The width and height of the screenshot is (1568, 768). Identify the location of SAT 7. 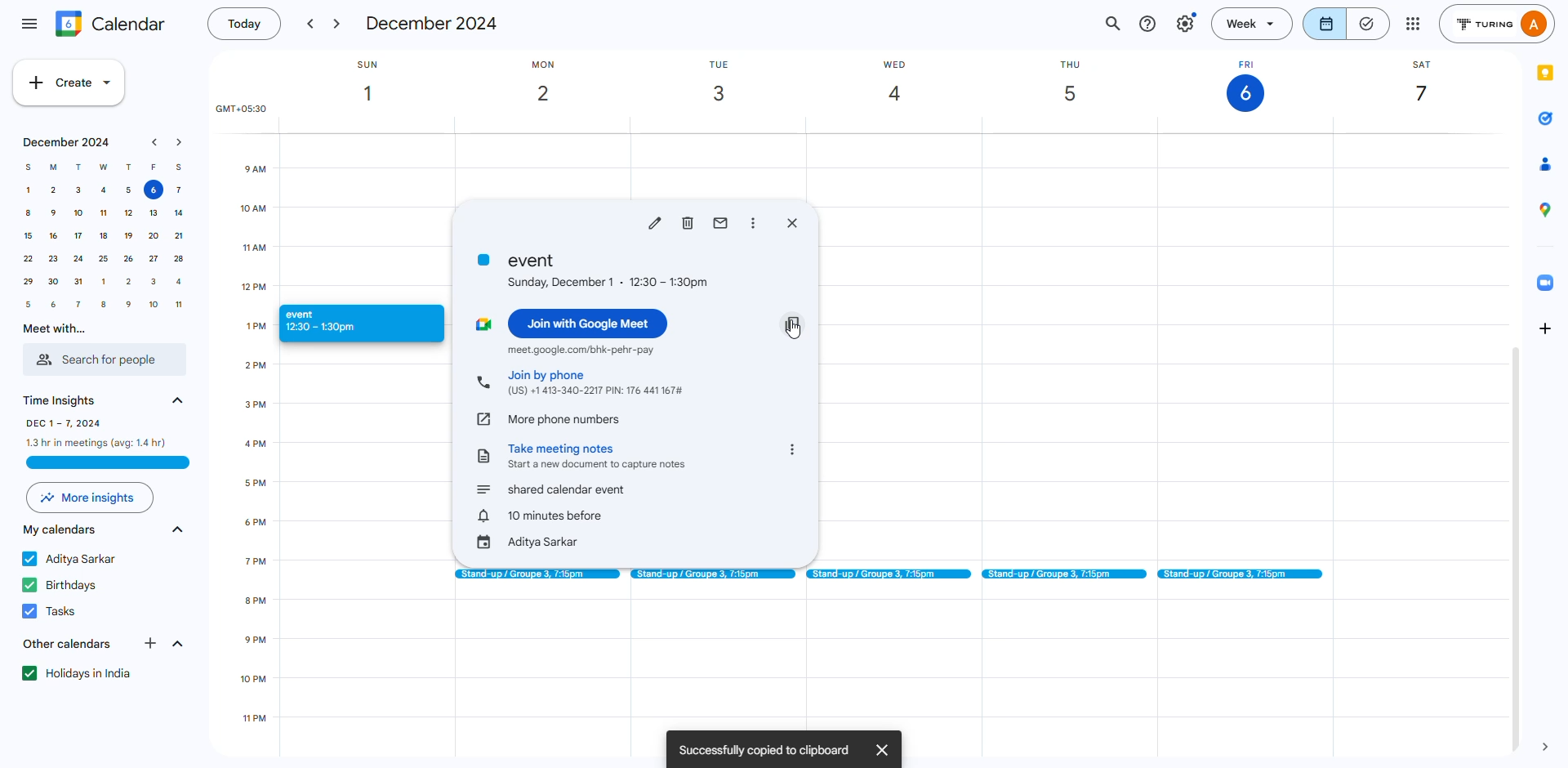
(1422, 86).